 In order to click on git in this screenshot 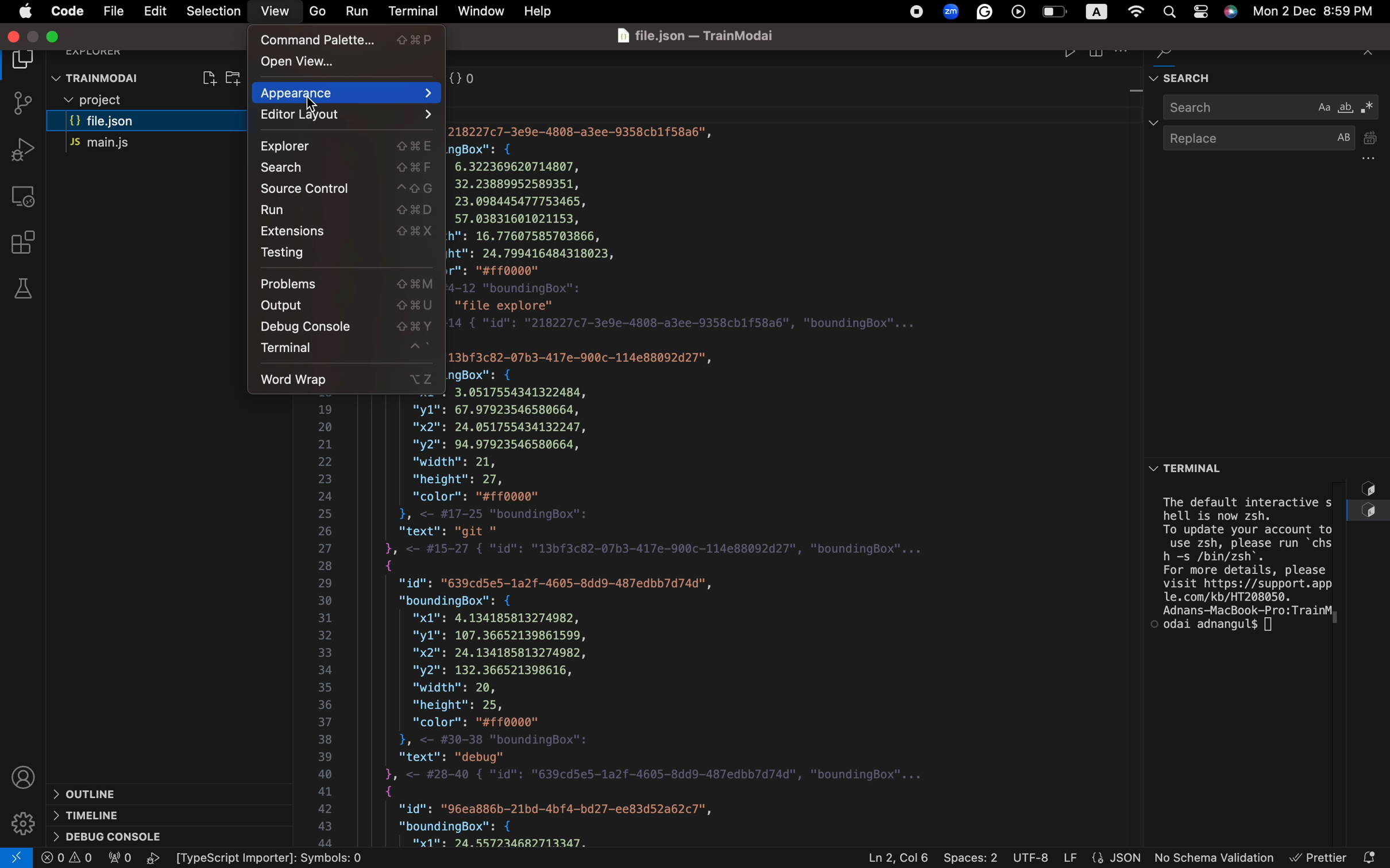, I will do `click(18, 105)`.